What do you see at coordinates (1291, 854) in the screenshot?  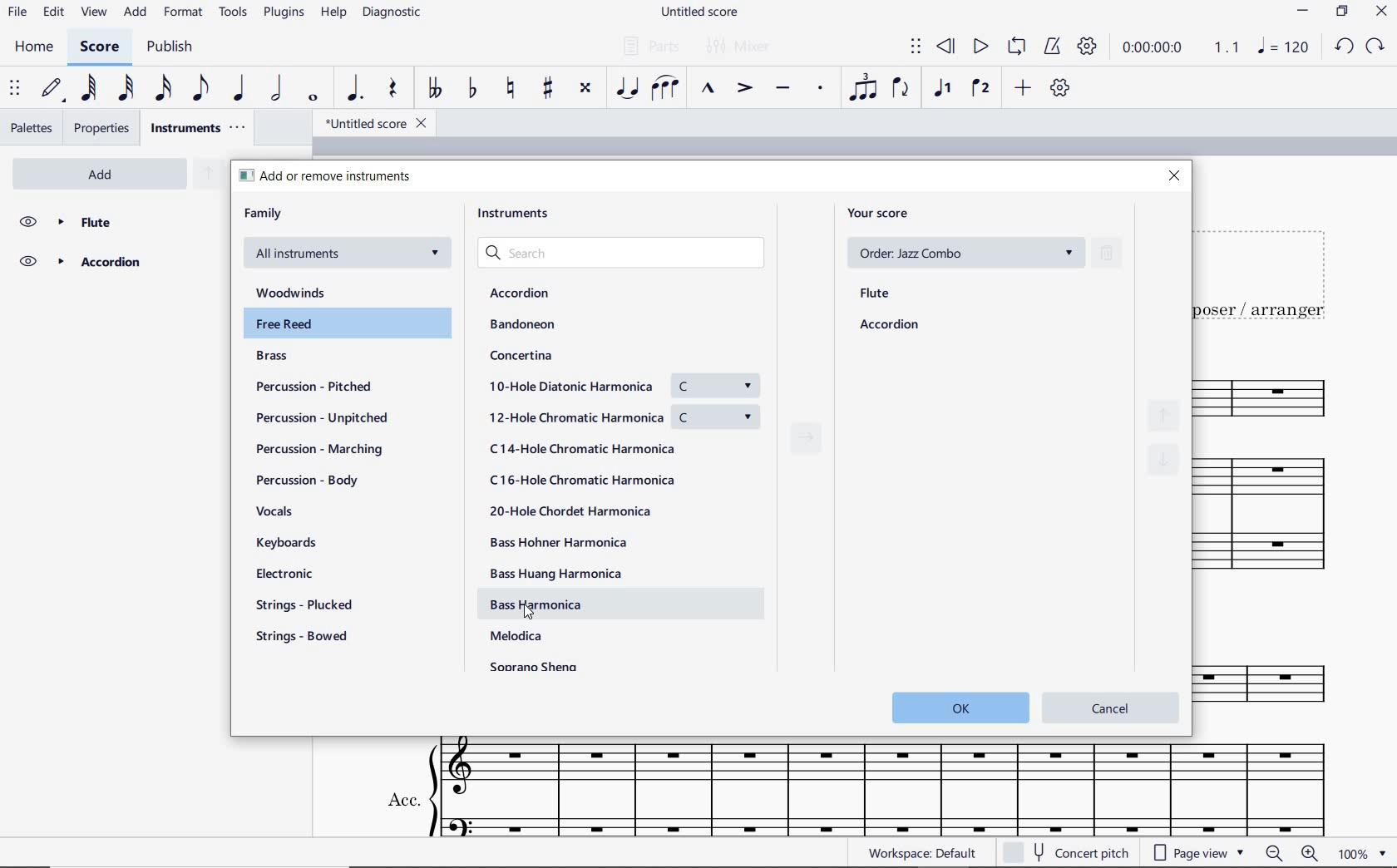 I see `zoom out or zoom in` at bounding box center [1291, 854].